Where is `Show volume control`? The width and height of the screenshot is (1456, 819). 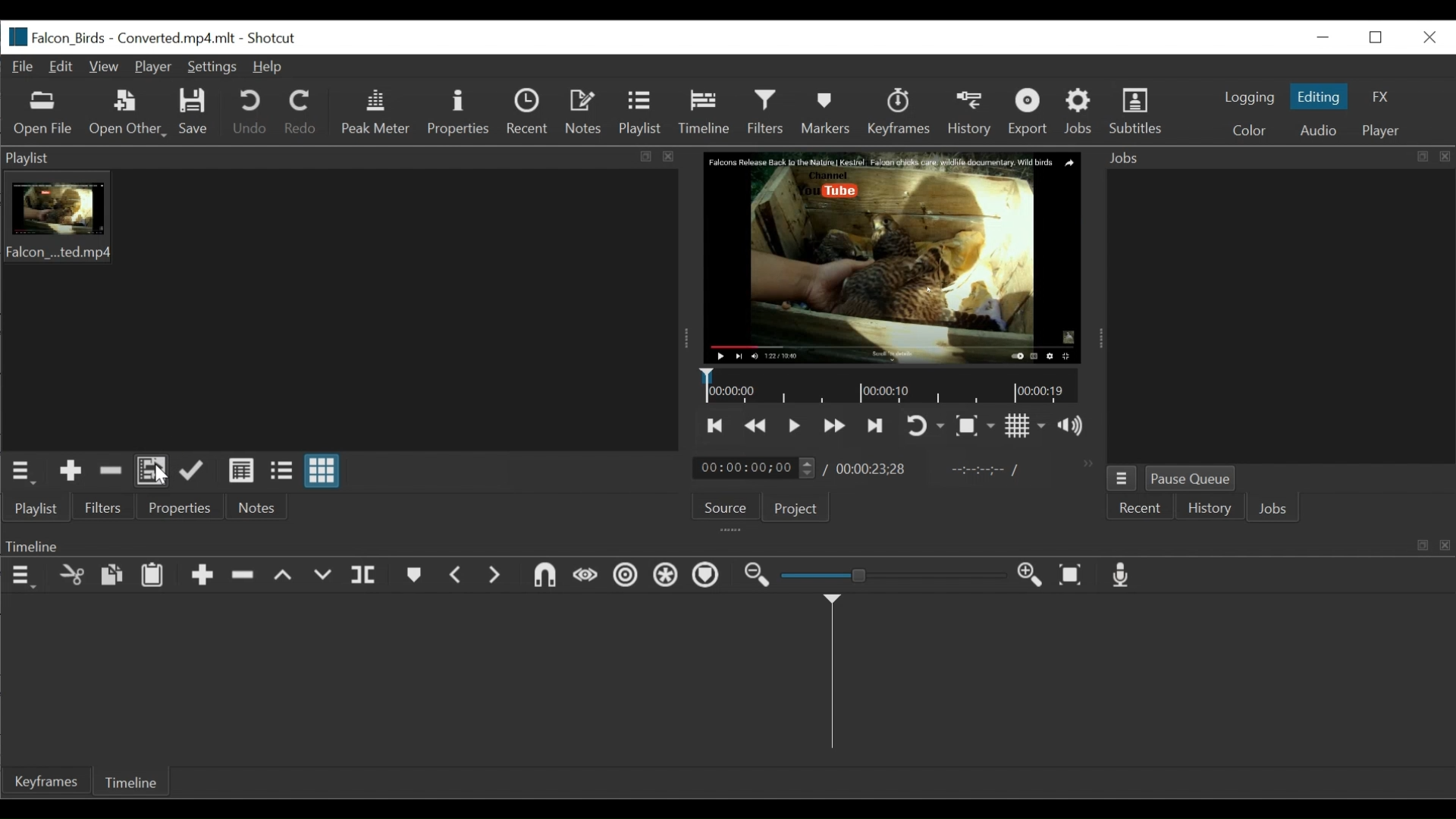 Show volume control is located at coordinates (1073, 426).